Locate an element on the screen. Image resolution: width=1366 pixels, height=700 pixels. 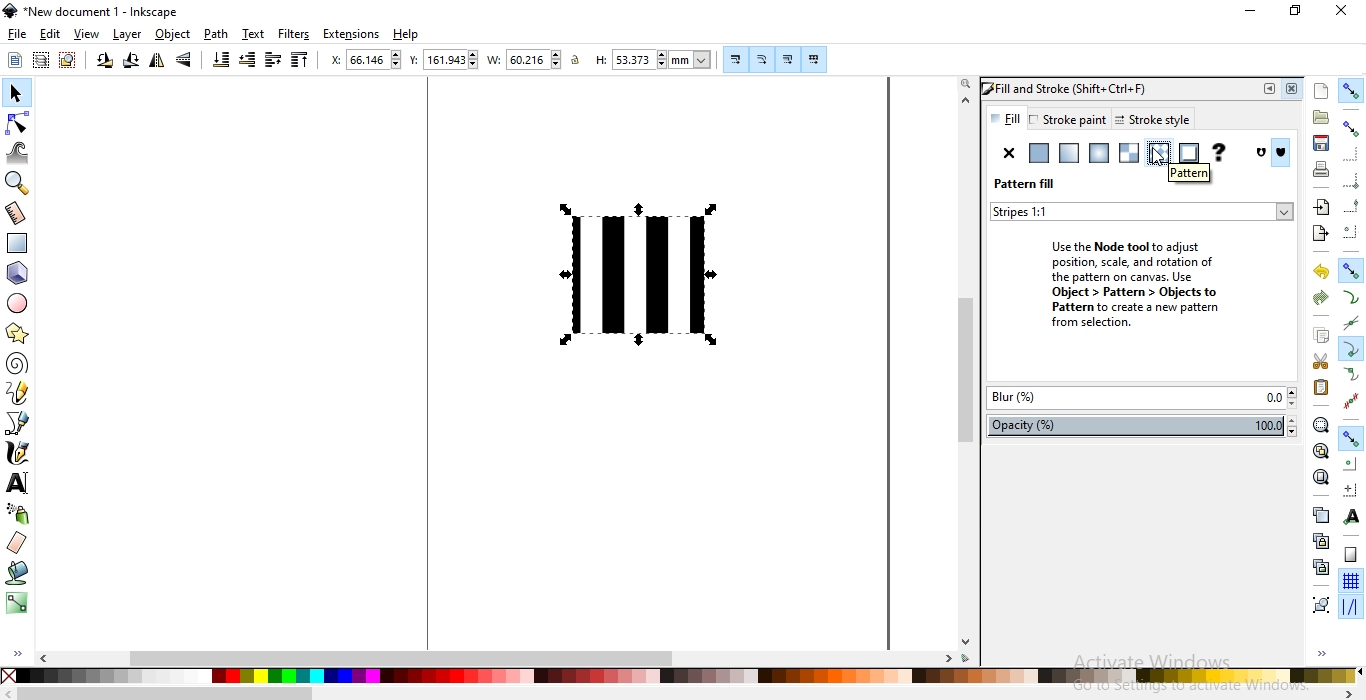
no paint is located at coordinates (1009, 153).